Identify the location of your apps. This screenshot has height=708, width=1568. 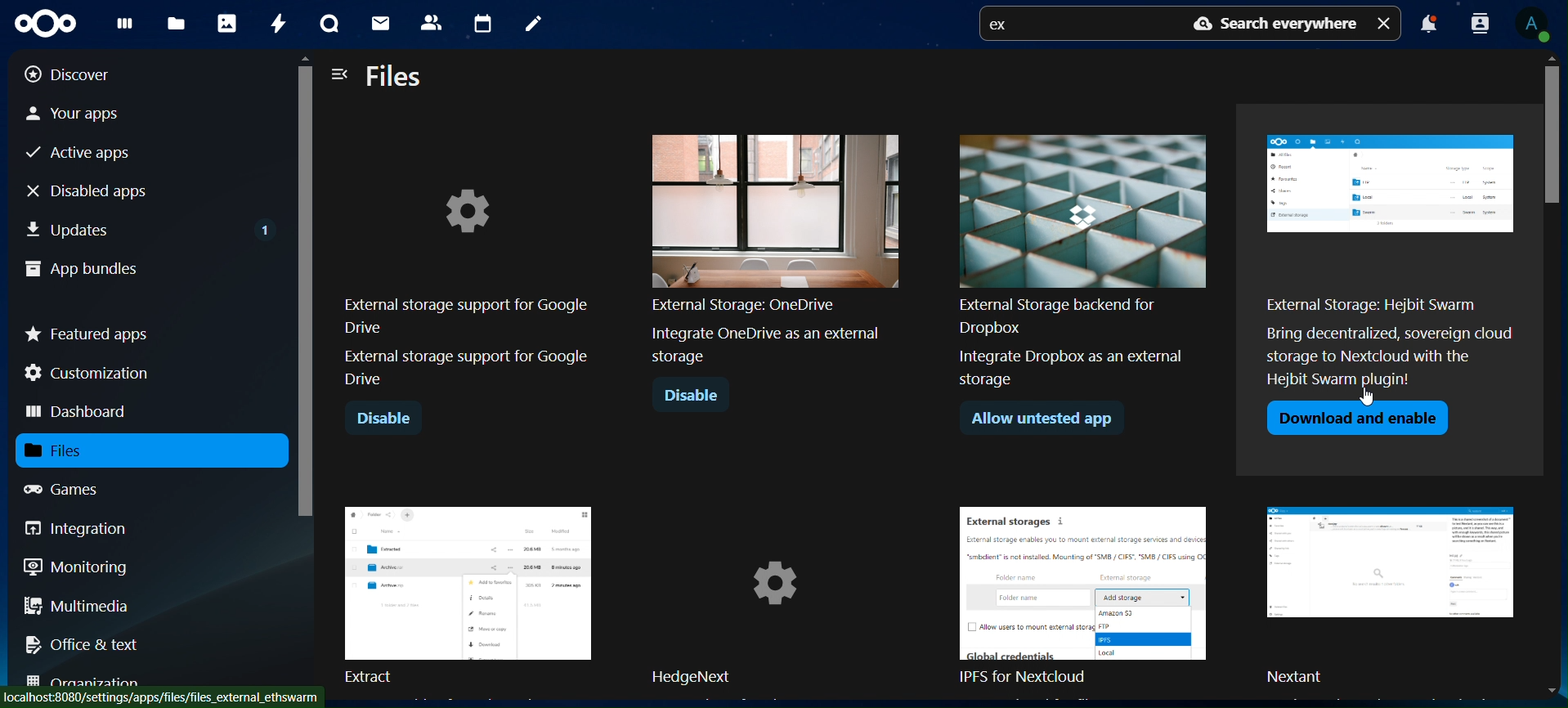
(89, 112).